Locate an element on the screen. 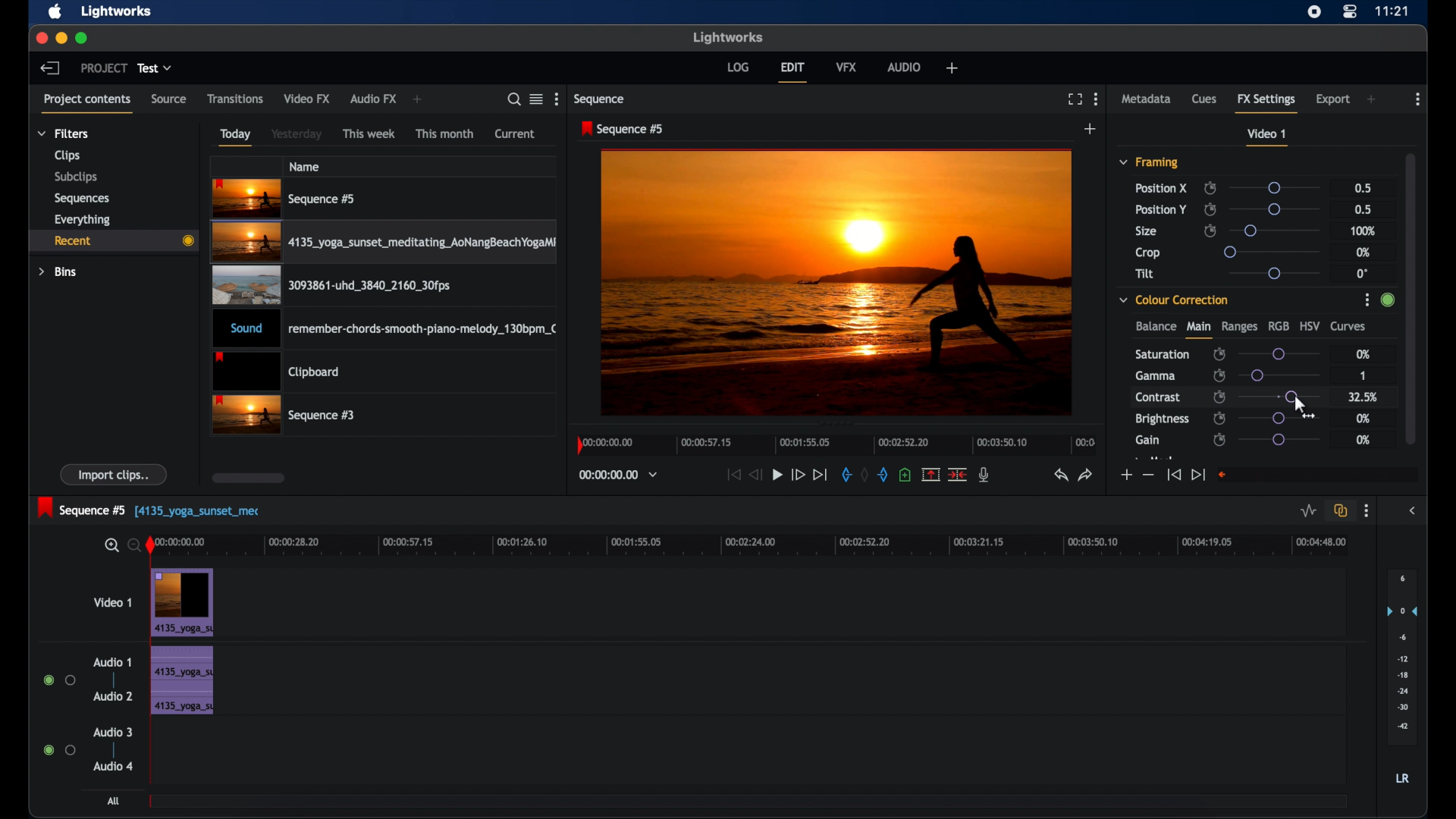 The image size is (1456, 819). add is located at coordinates (1373, 99).